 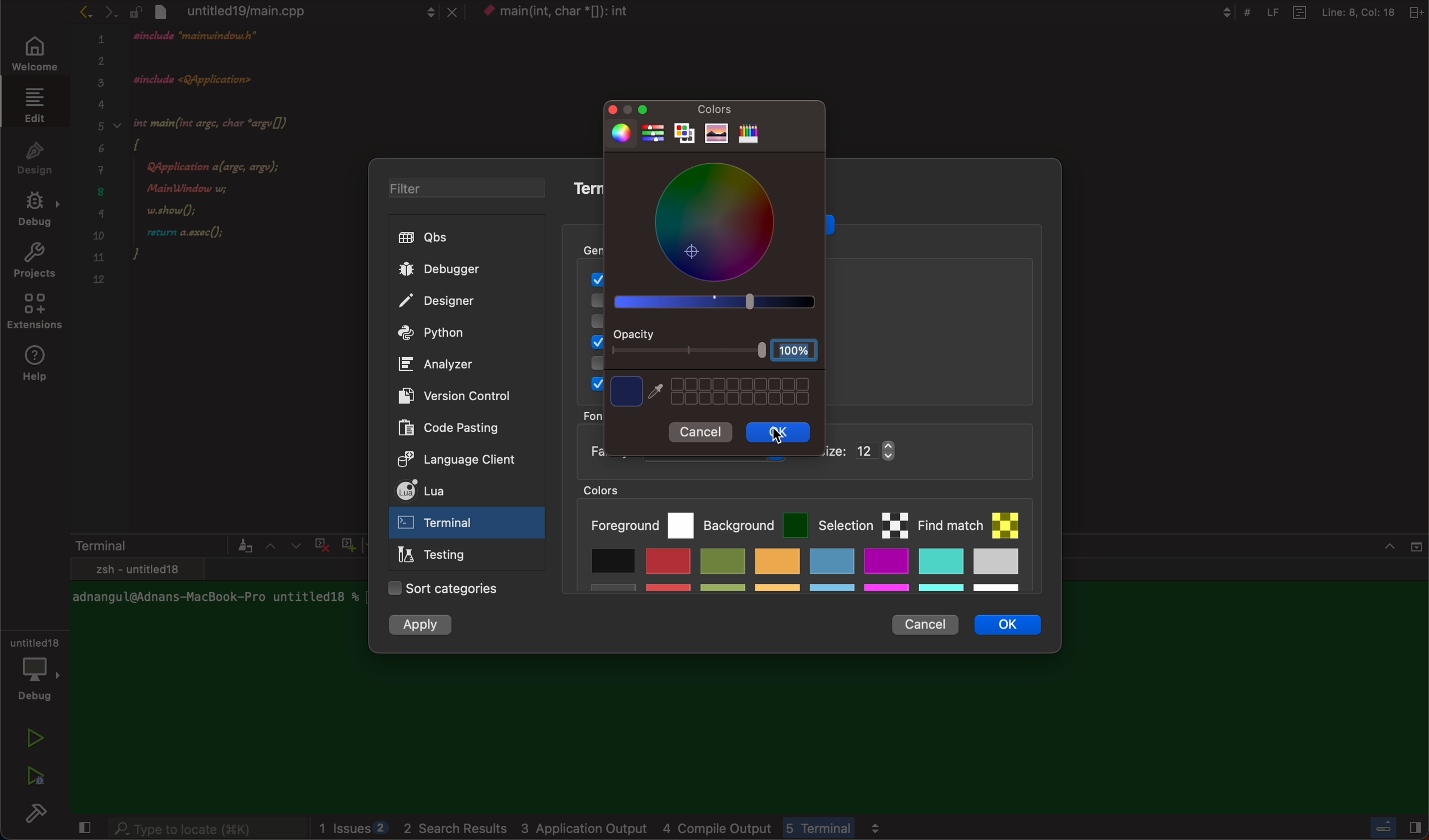 I want to click on cursor, so click(x=784, y=433).